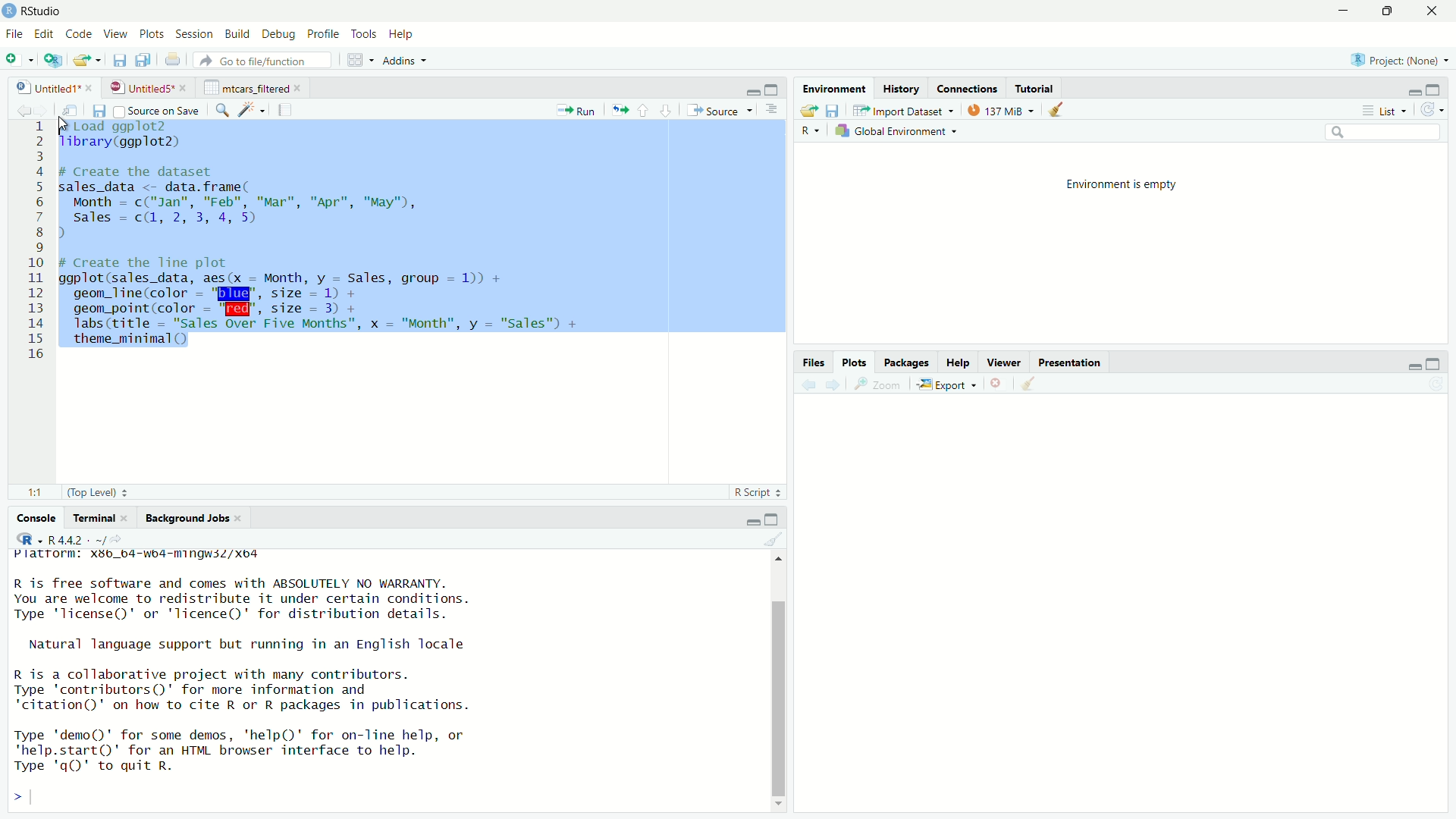 The image size is (1456, 819). I want to click on code tools, so click(253, 109).